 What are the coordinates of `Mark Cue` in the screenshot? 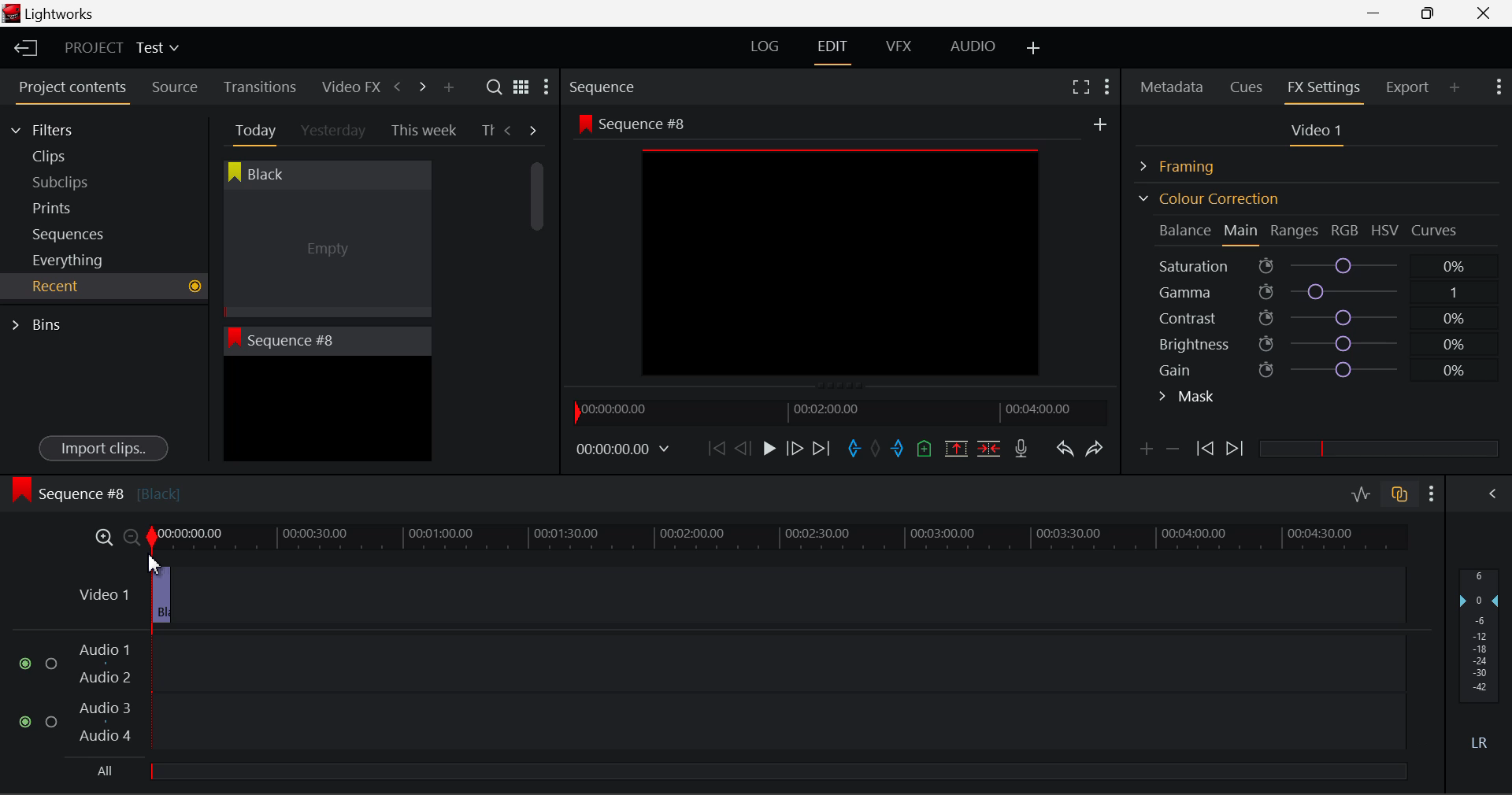 It's located at (923, 449).